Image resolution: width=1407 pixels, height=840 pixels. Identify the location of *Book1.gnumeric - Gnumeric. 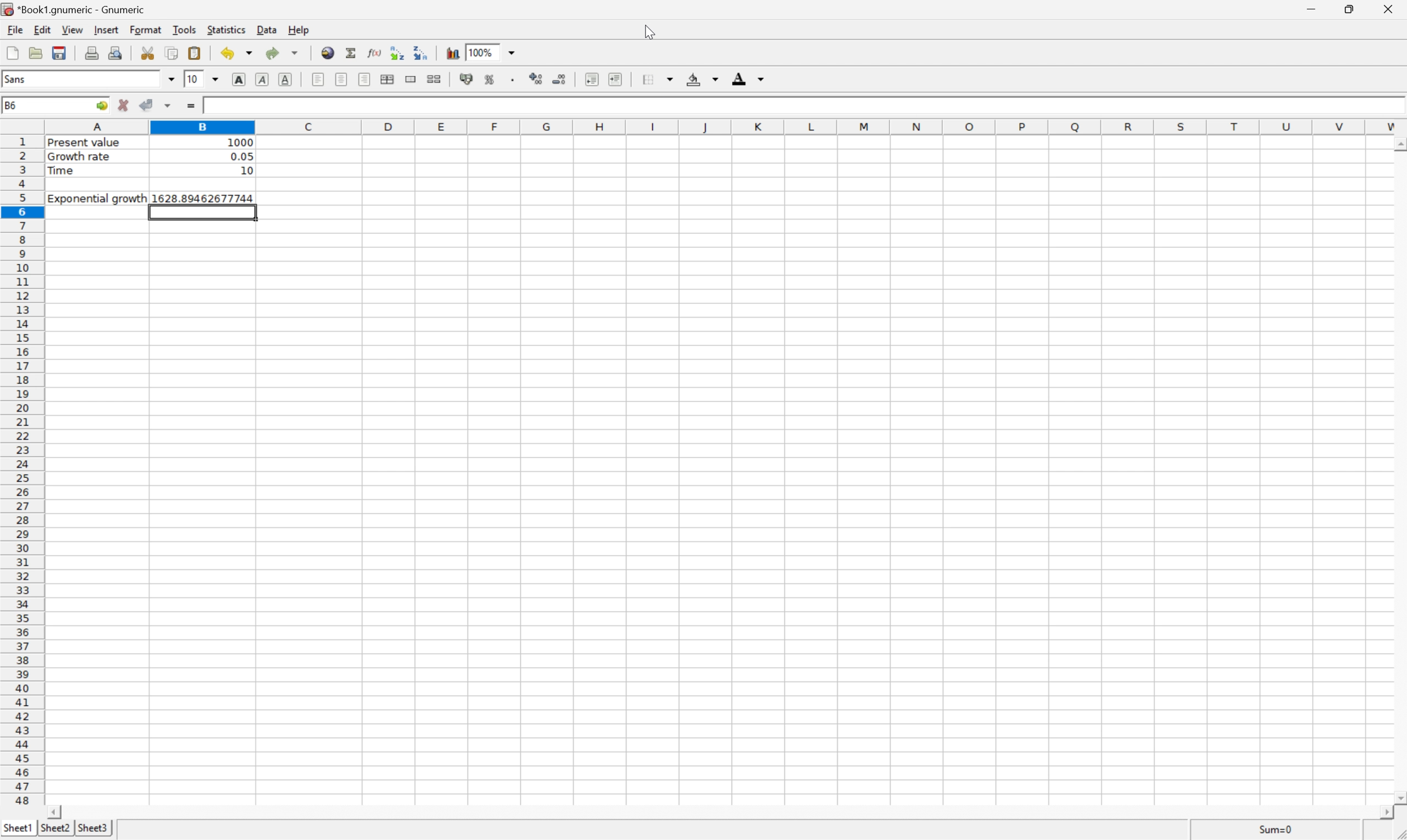
(76, 8).